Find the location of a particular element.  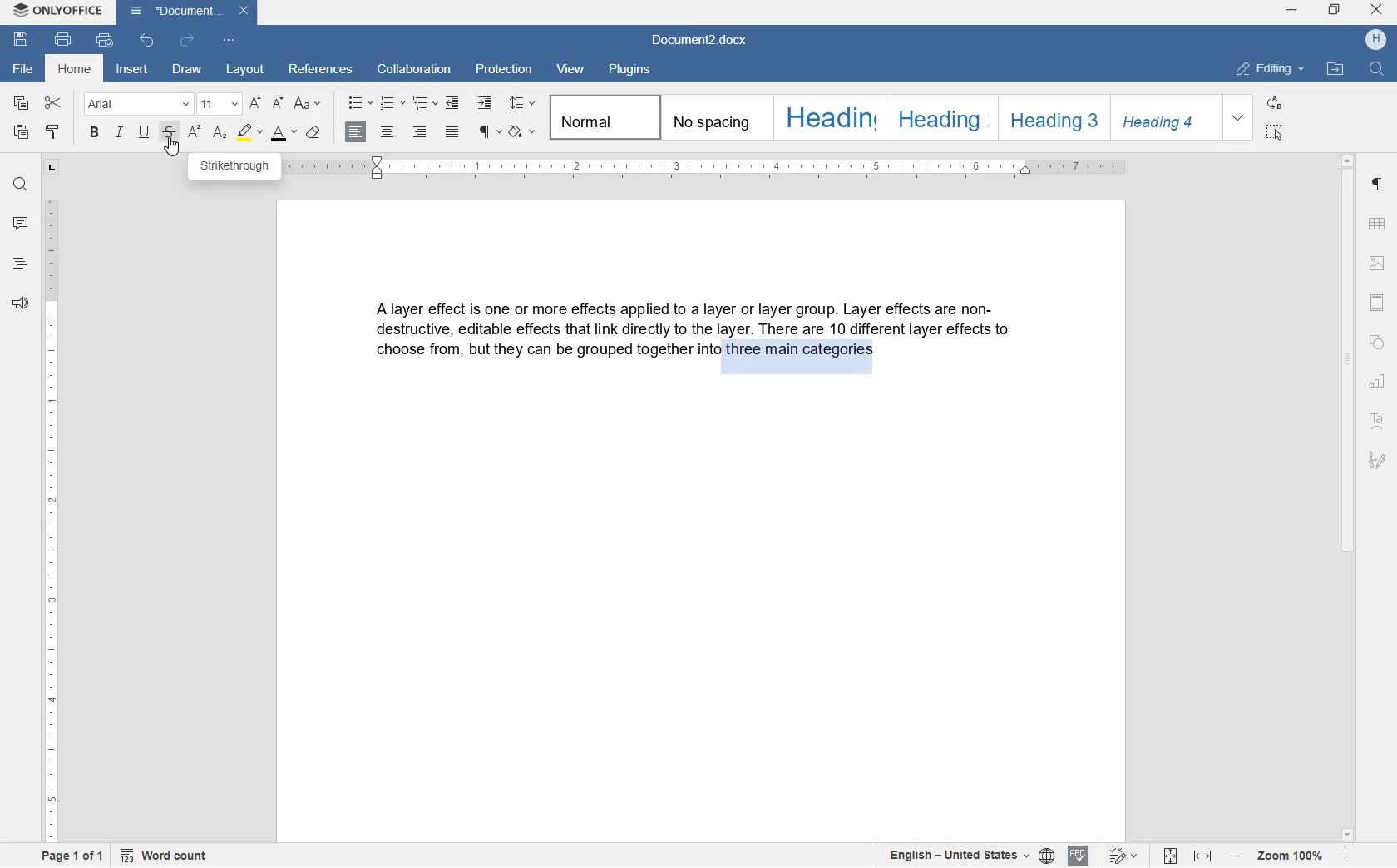

text or document language is located at coordinates (961, 856).